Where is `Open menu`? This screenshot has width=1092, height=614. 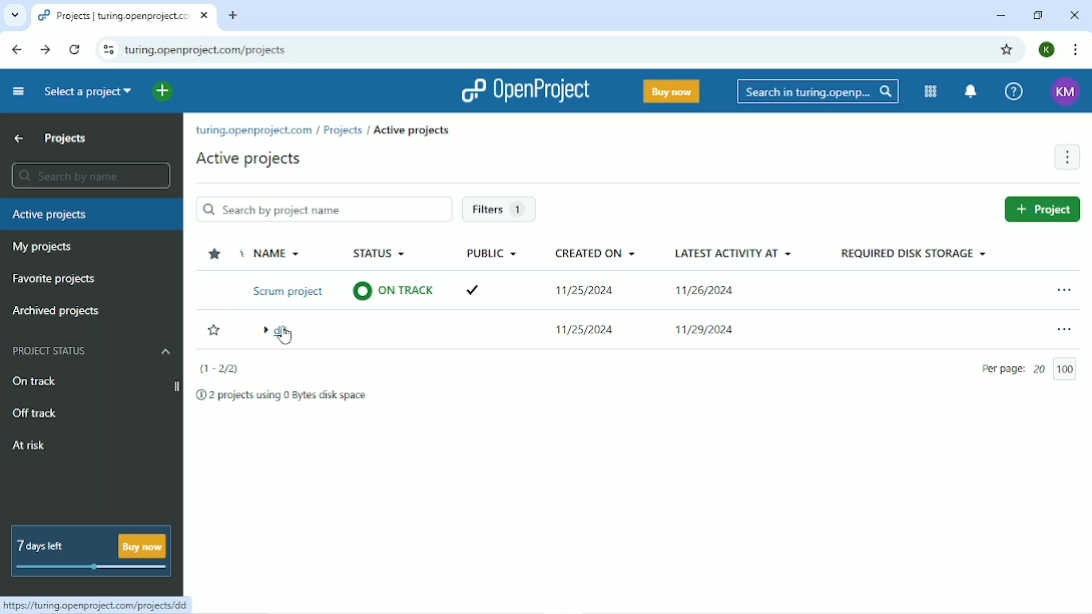 Open menu is located at coordinates (1059, 329).